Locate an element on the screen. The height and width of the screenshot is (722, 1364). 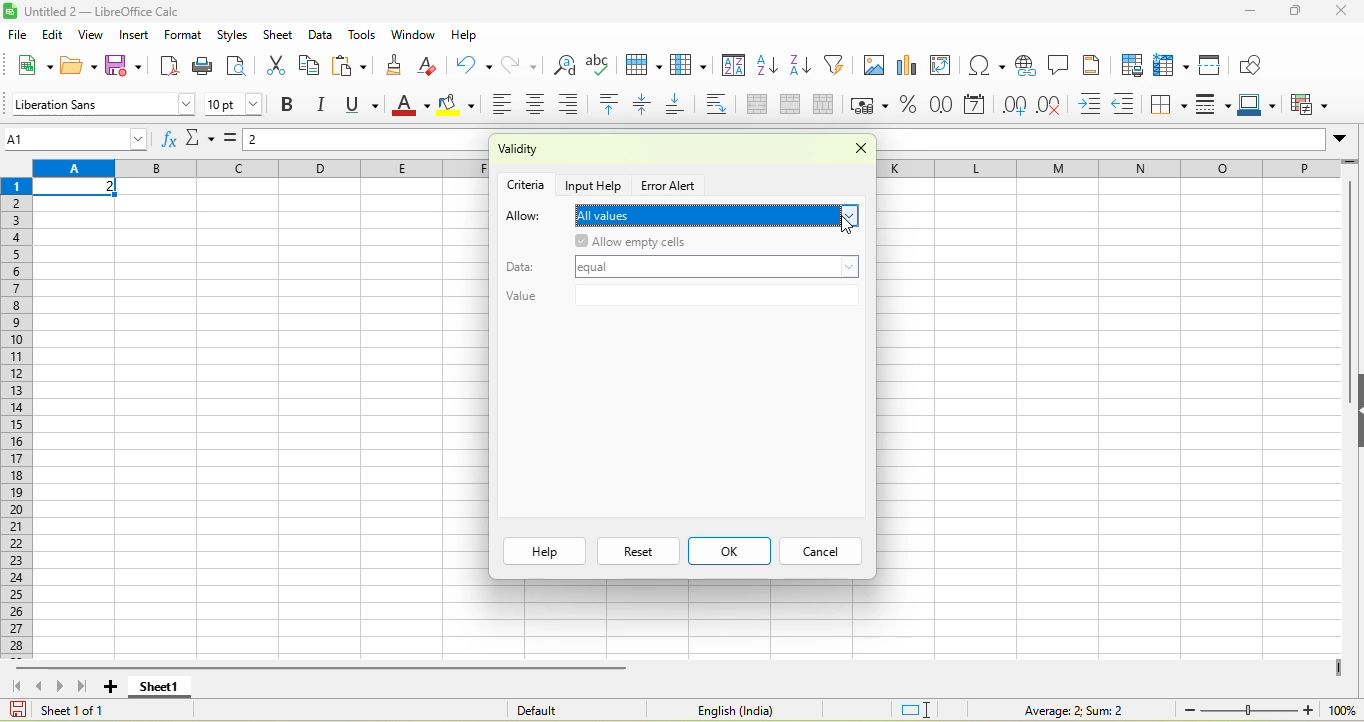
formula is located at coordinates (1059, 709).